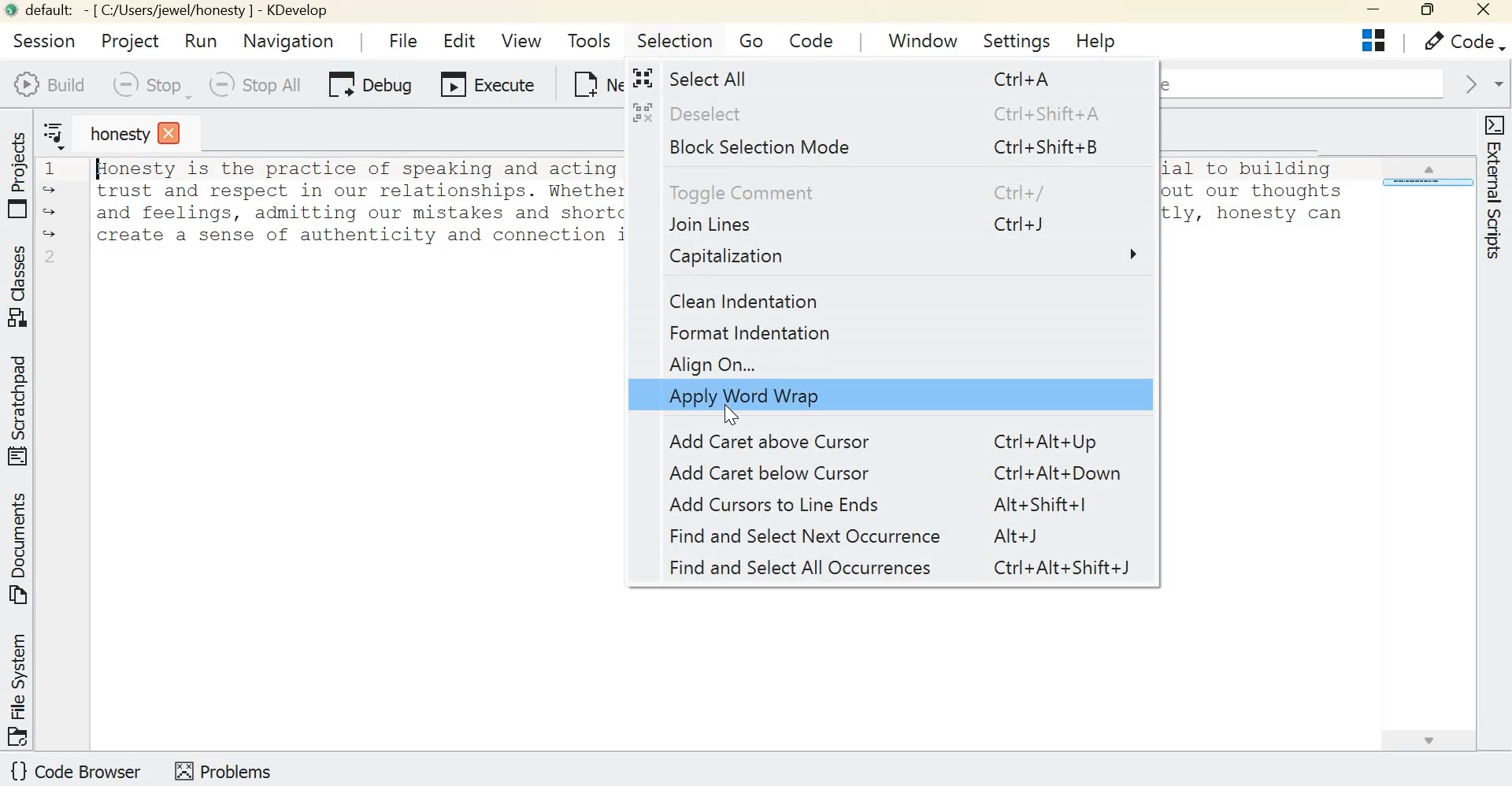  Describe the element at coordinates (590, 83) in the screenshot. I see `New file` at that location.